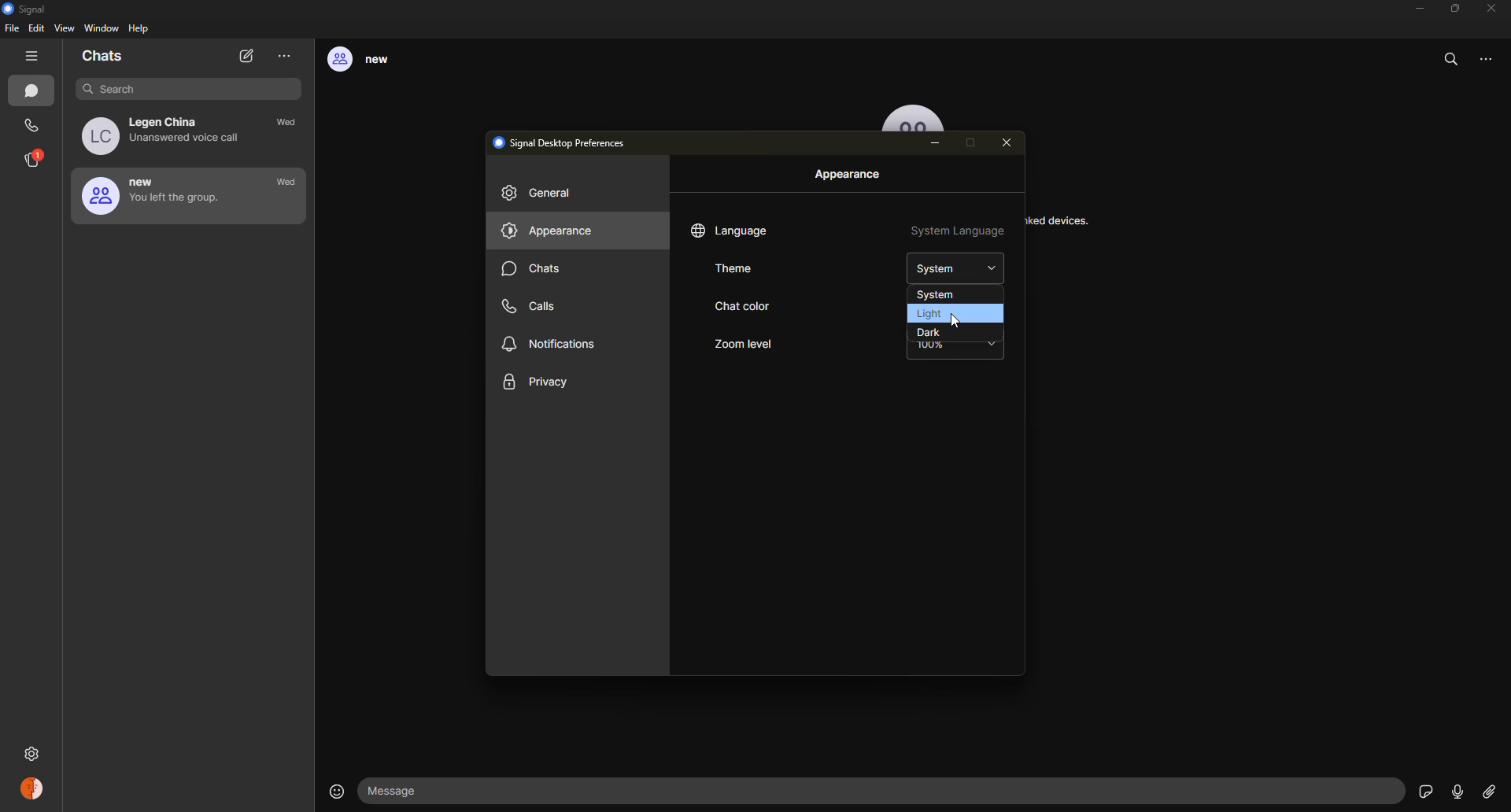 This screenshot has height=812, width=1511. Describe the element at coordinates (957, 233) in the screenshot. I see `system language` at that location.